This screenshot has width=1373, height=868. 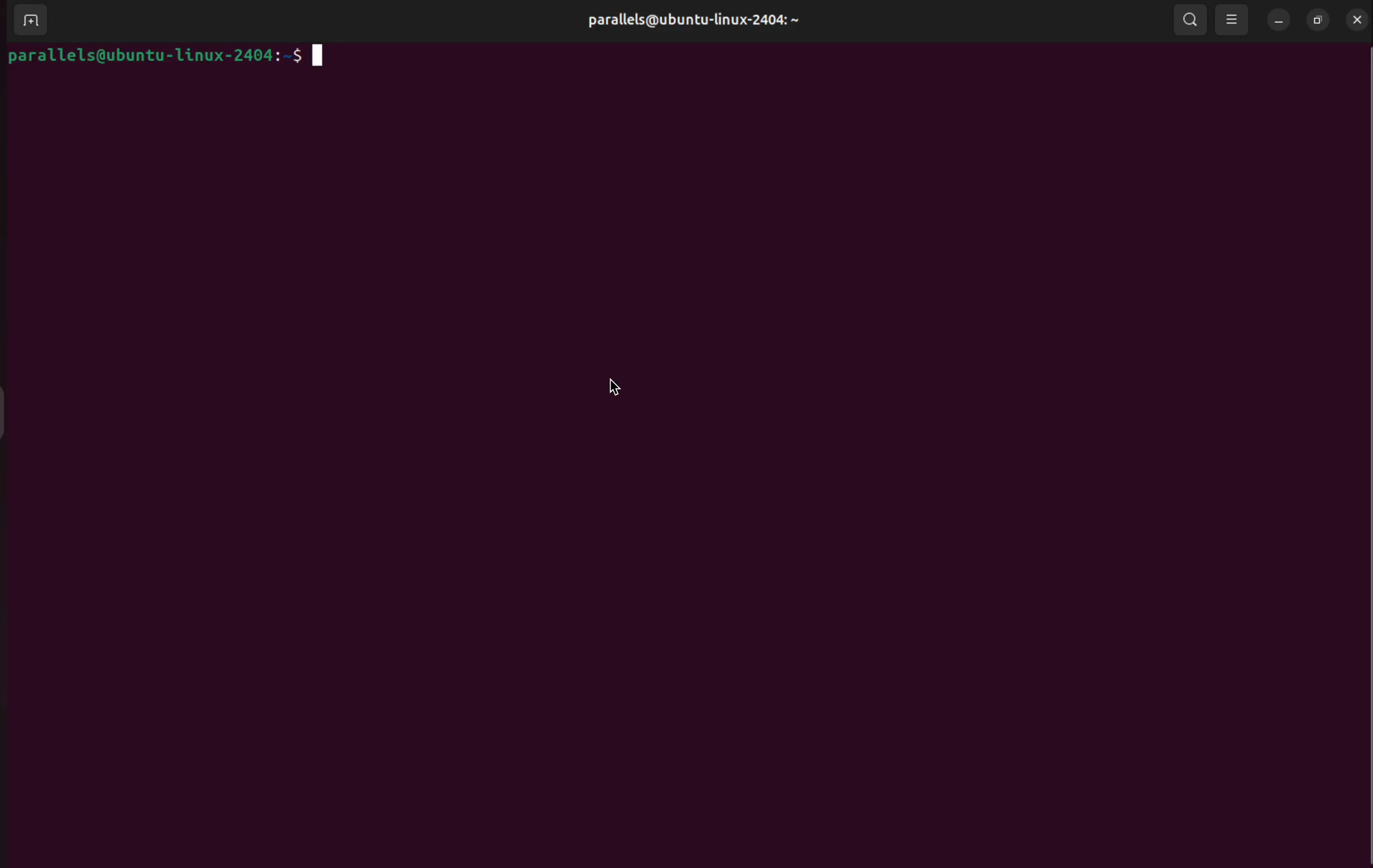 I want to click on view options, so click(x=1233, y=19).